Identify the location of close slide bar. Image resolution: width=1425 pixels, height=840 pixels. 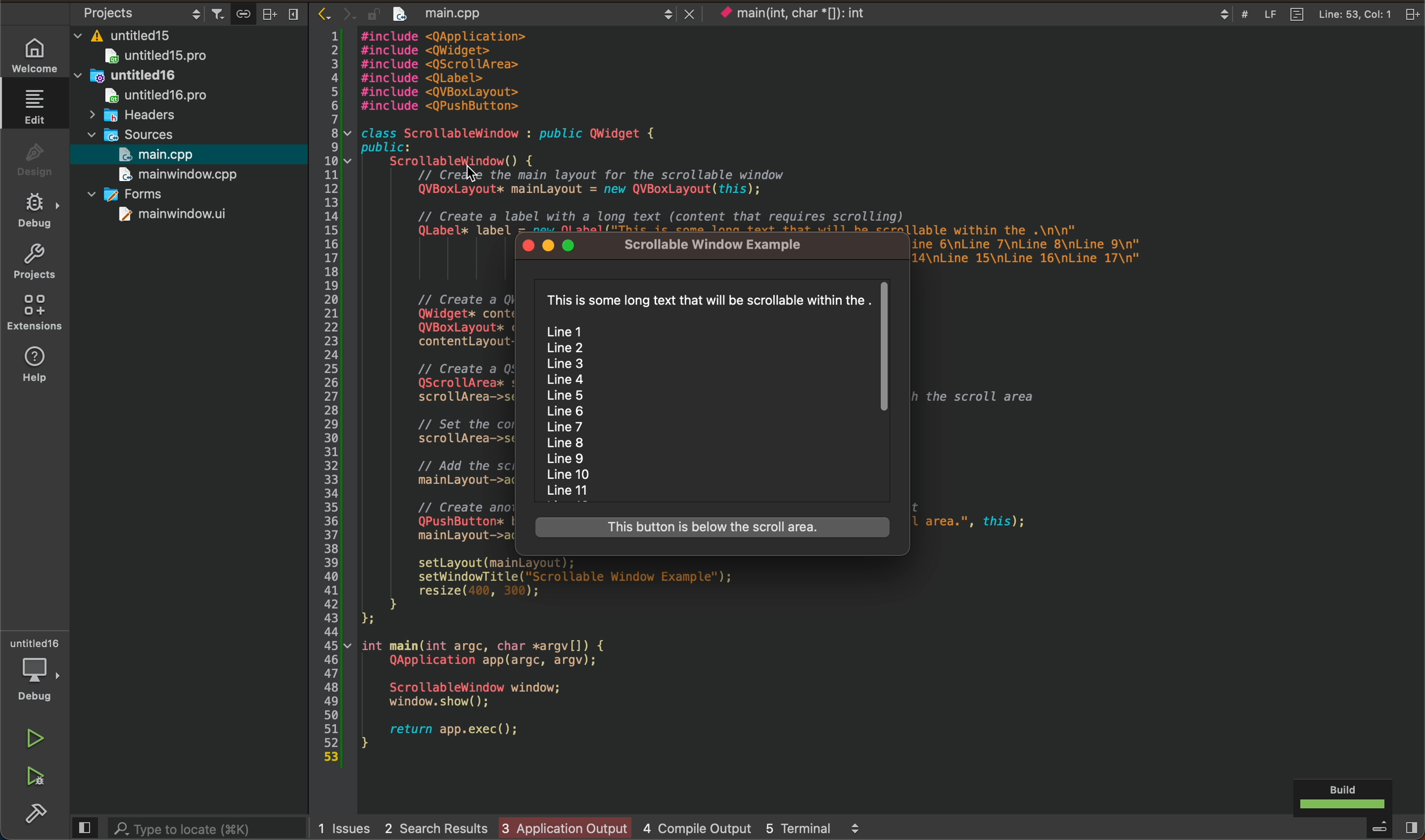
(87, 826).